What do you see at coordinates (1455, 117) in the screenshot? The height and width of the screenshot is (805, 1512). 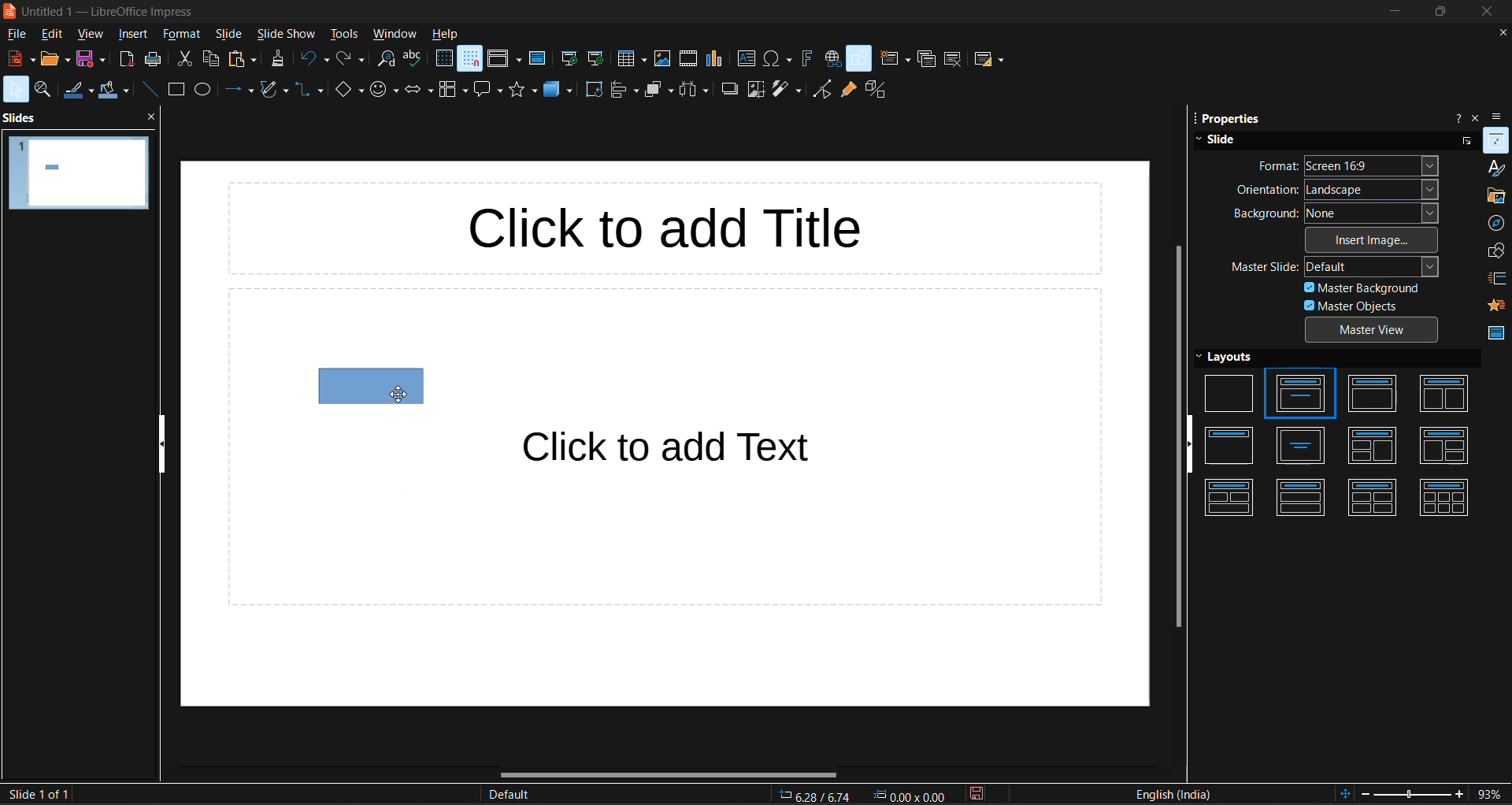 I see `help about sidebar` at bounding box center [1455, 117].